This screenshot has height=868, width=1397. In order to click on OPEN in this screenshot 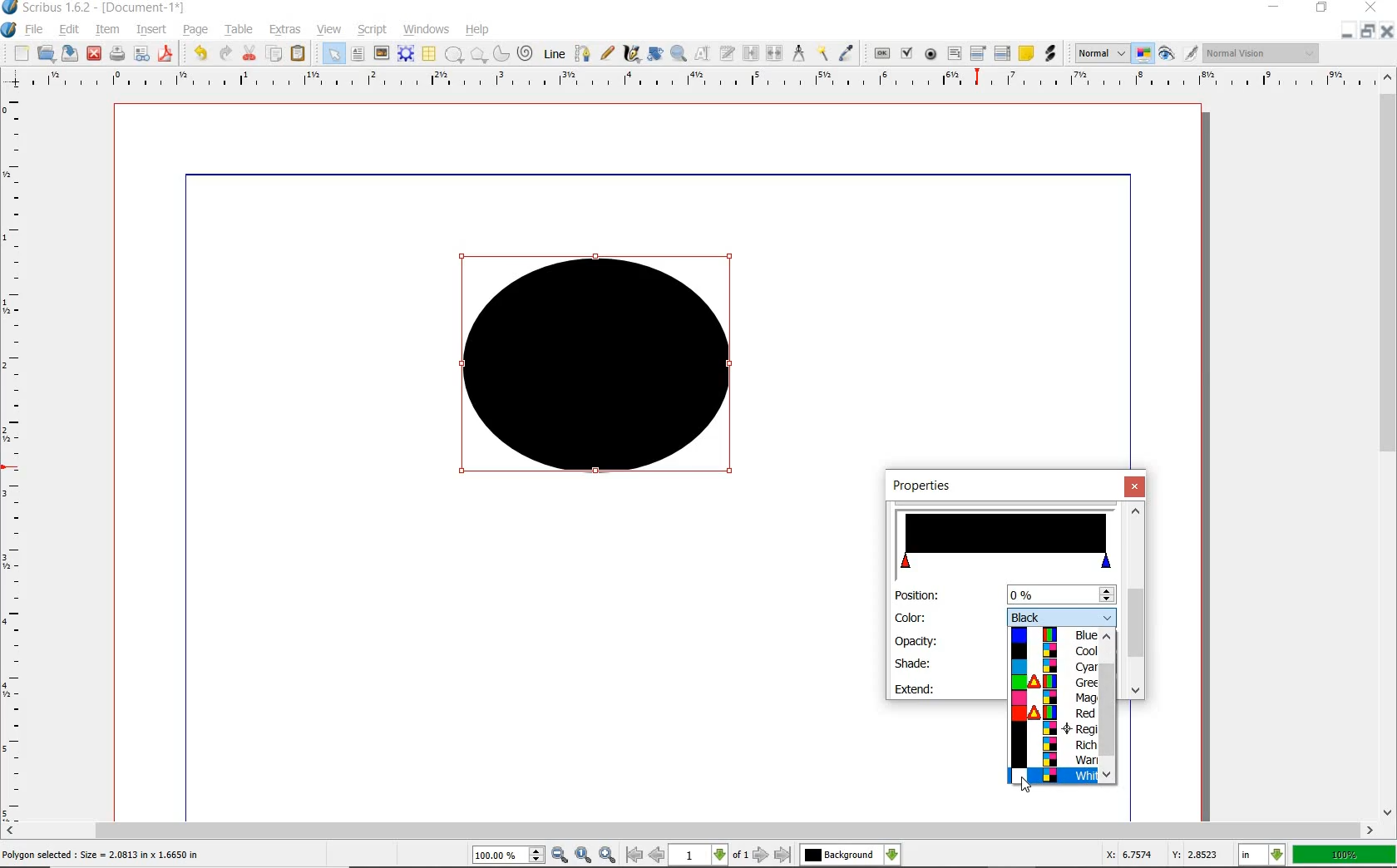, I will do `click(46, 52)`.